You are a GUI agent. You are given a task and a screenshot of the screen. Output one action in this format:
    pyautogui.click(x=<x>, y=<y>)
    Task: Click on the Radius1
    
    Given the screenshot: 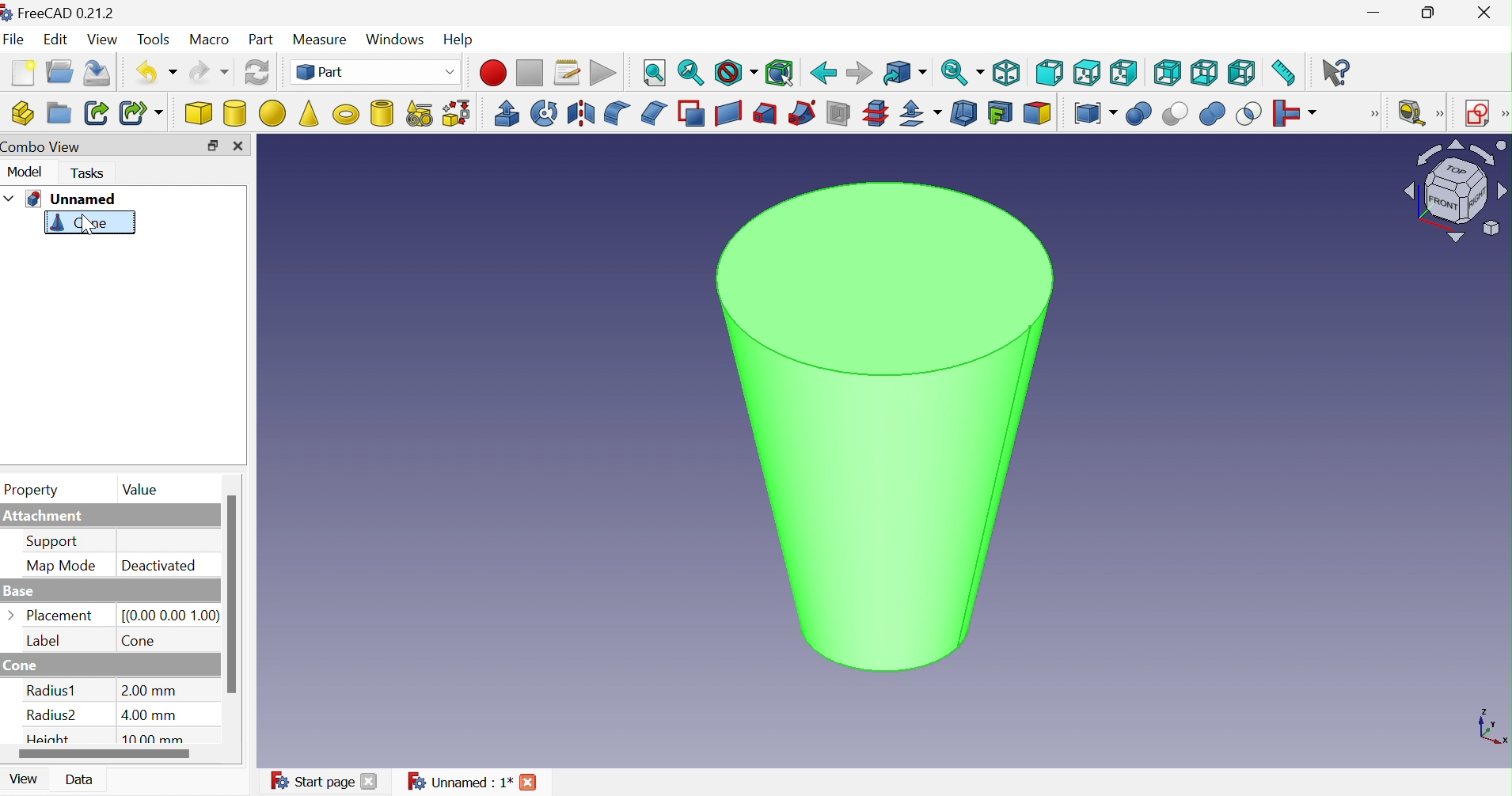 What is the action you would take?
    pyautogui.click(x=51, y=690)
    